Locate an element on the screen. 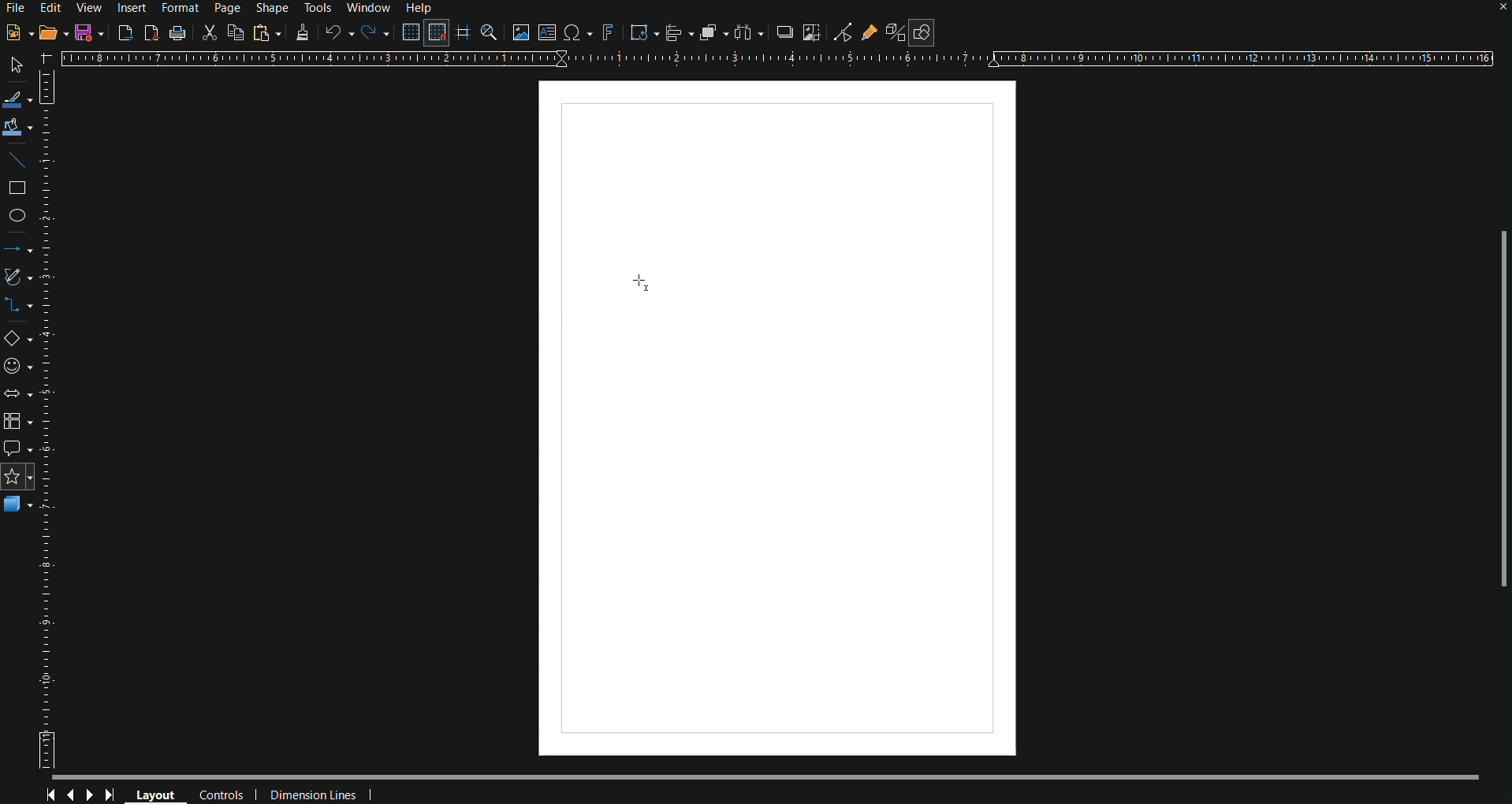 This screenshot has height=804, width=1512. Dimension Lines is located at coordinates (311, 792).